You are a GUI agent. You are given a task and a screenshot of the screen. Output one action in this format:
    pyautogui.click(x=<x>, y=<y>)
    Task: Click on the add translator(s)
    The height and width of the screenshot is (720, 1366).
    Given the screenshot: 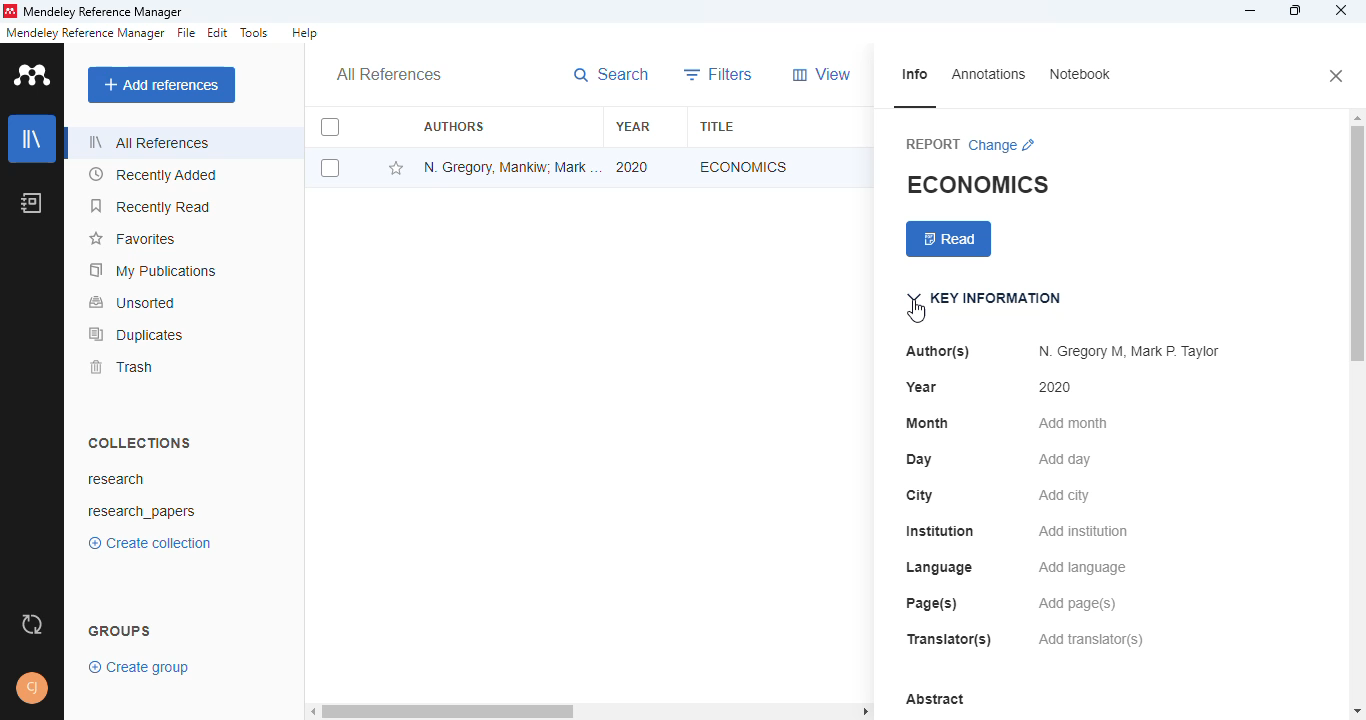 What is the action you would take?
    pyautogui.click(x=1092, y=639)
    